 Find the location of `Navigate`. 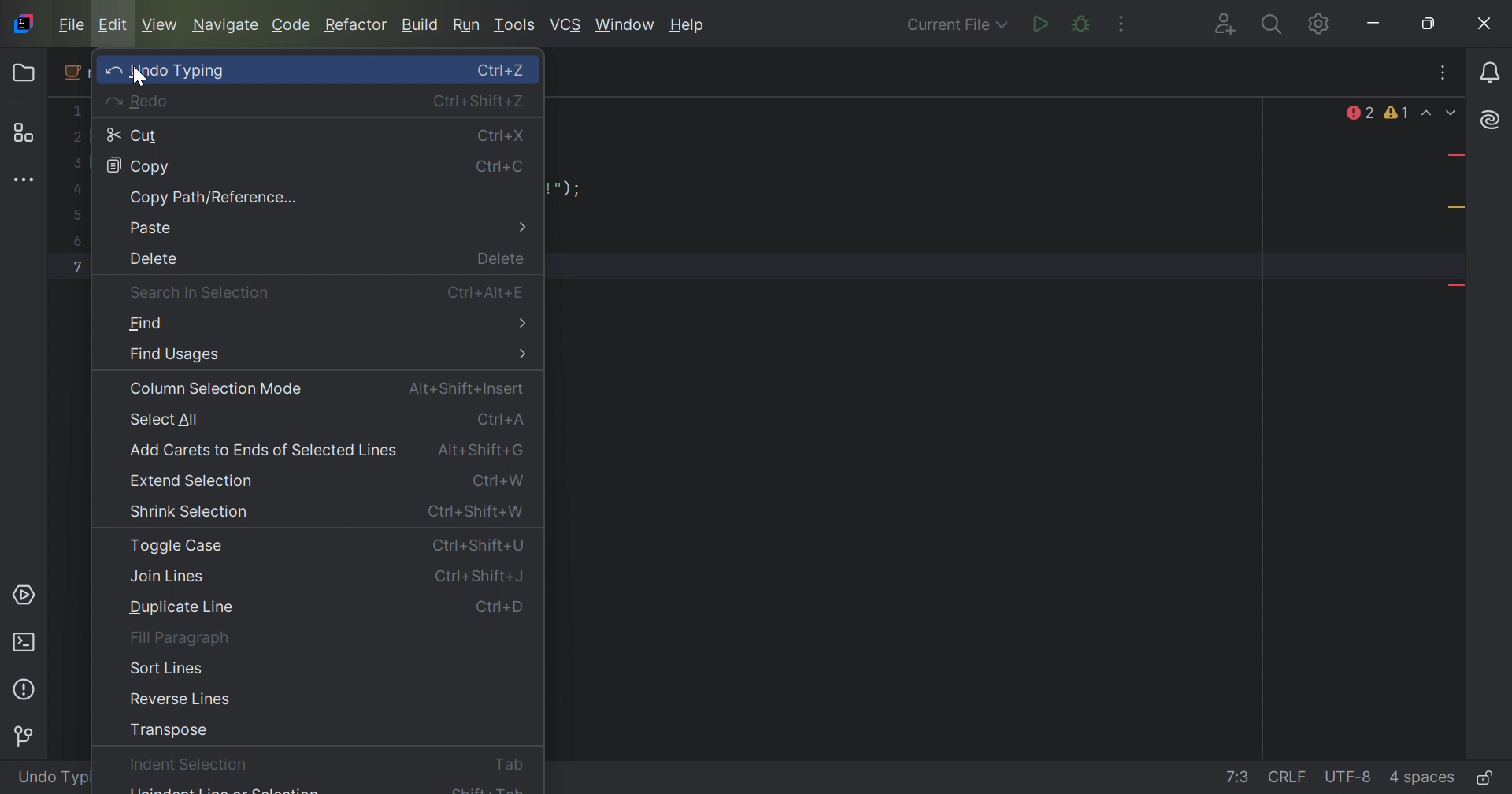

Navigate is located at coordinates (225, 24).